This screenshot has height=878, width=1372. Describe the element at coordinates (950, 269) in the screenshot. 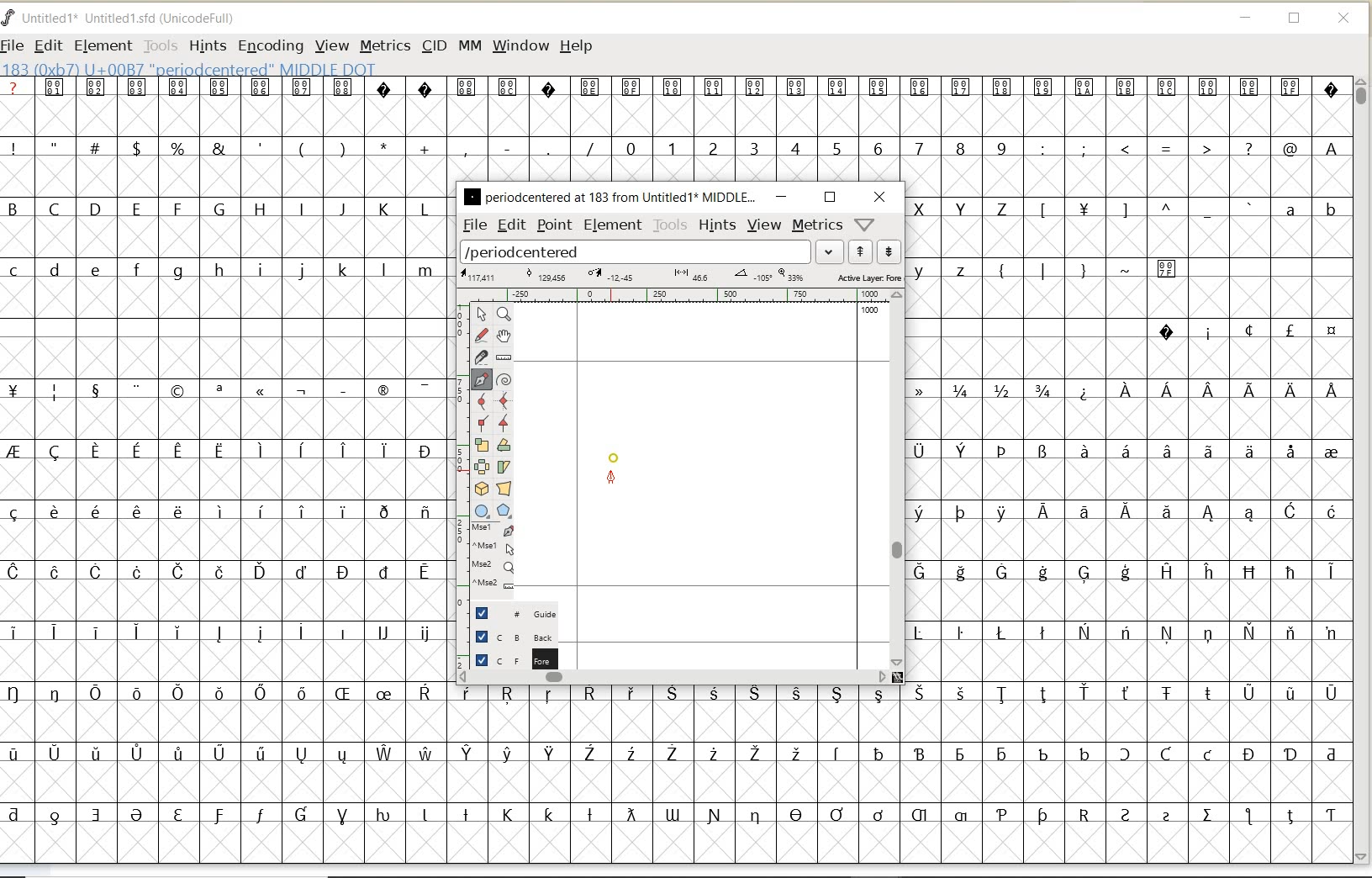

I see `lowercase letters` at that location.